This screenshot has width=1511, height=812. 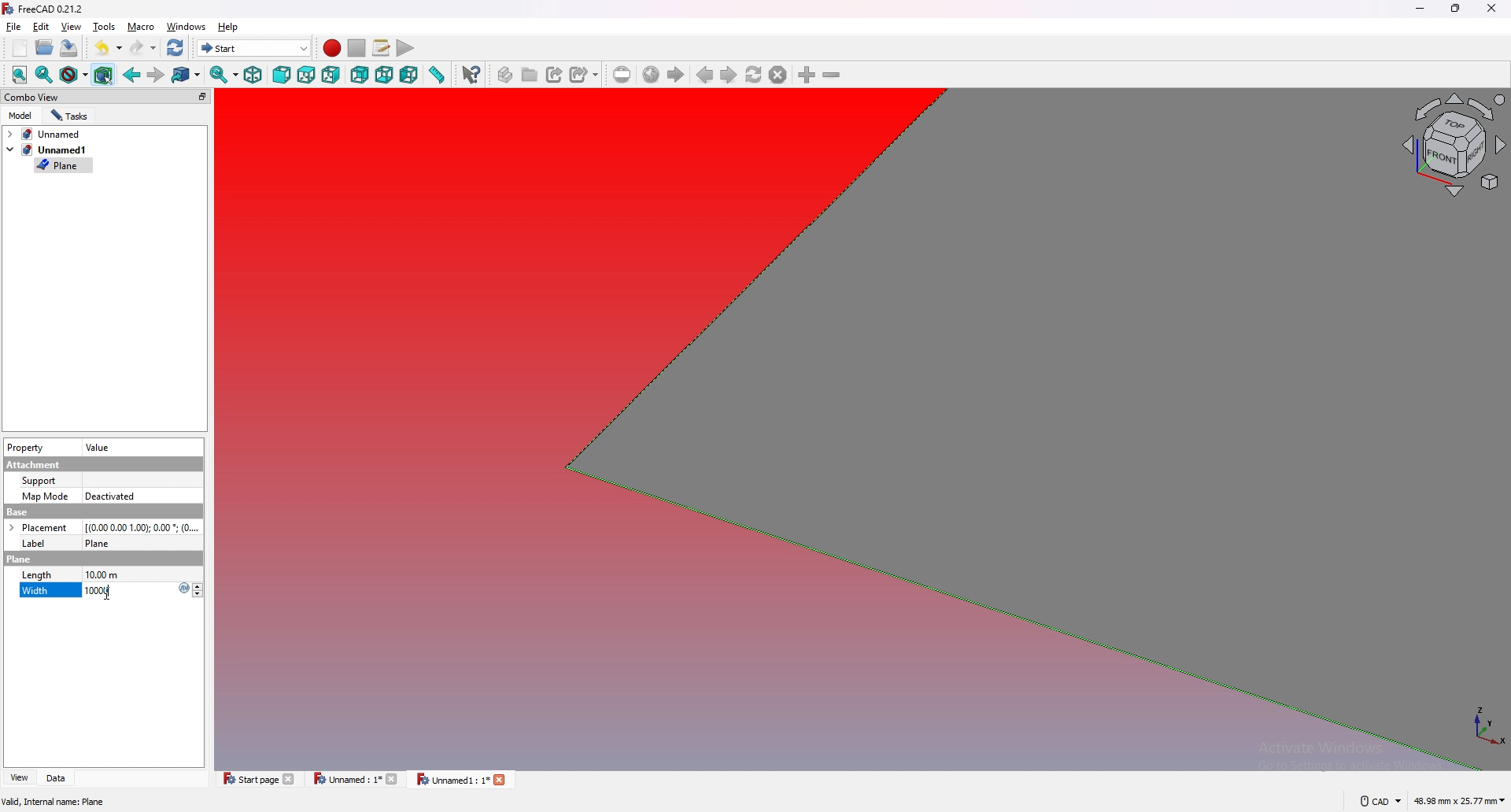 What do you see at coordinates (1020, 452) in the screenshot?
I see `floor plane` at bounding box center [1020, 452].